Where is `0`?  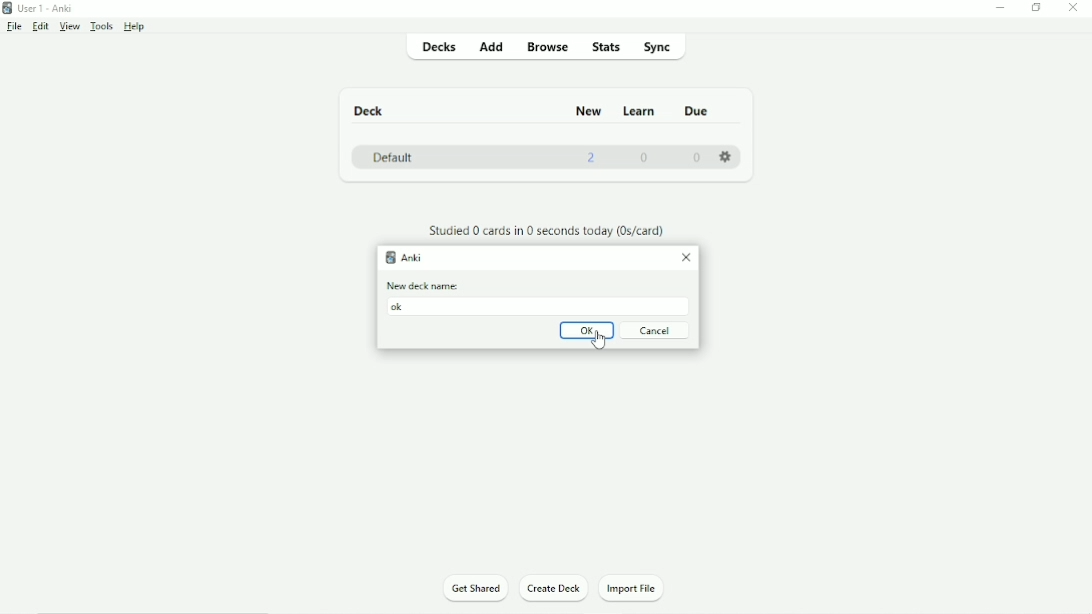
0 is located at coordinates (697, 157).